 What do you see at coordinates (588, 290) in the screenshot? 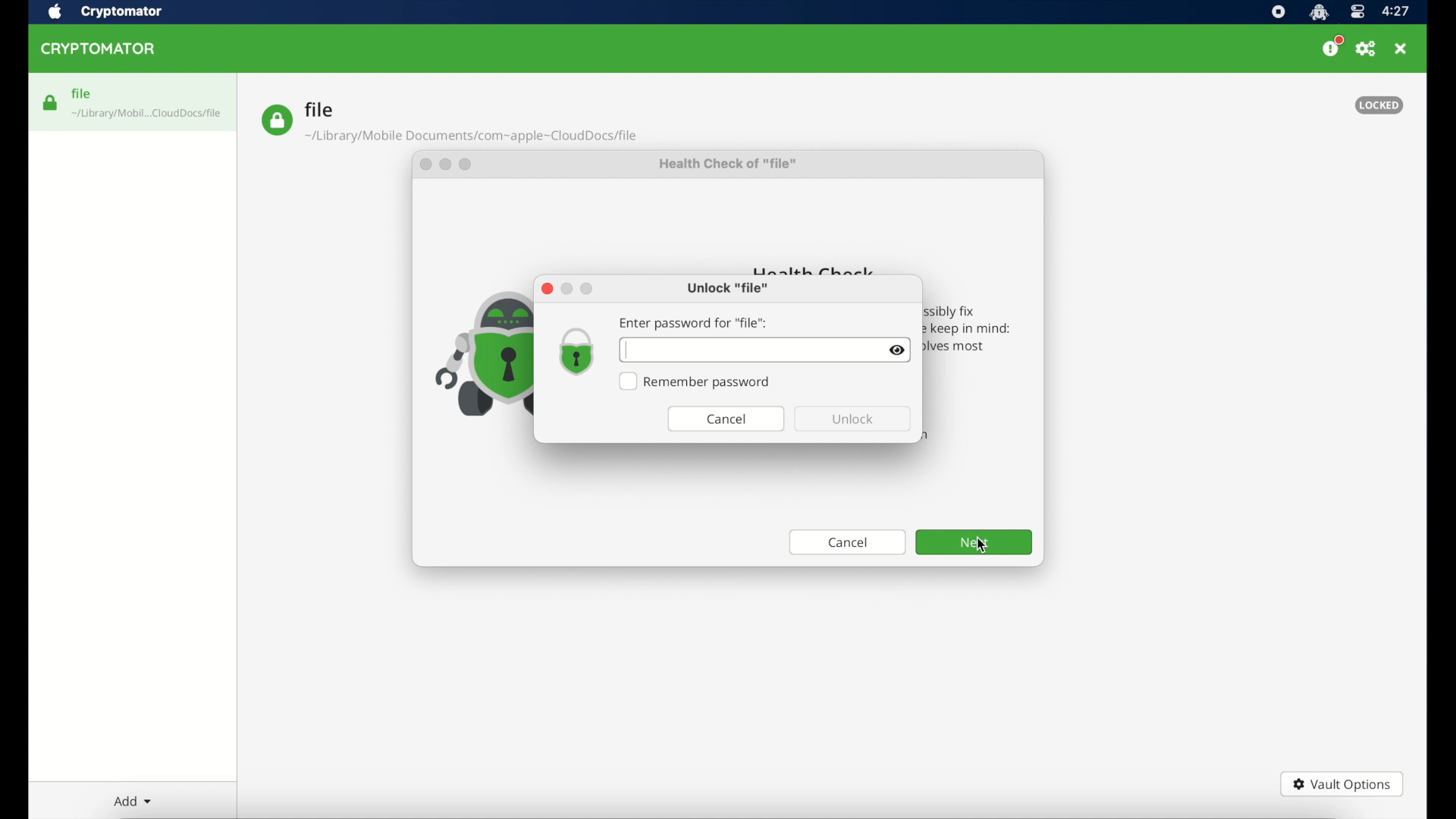
I see `maximize` at bounding box center [588, 290].